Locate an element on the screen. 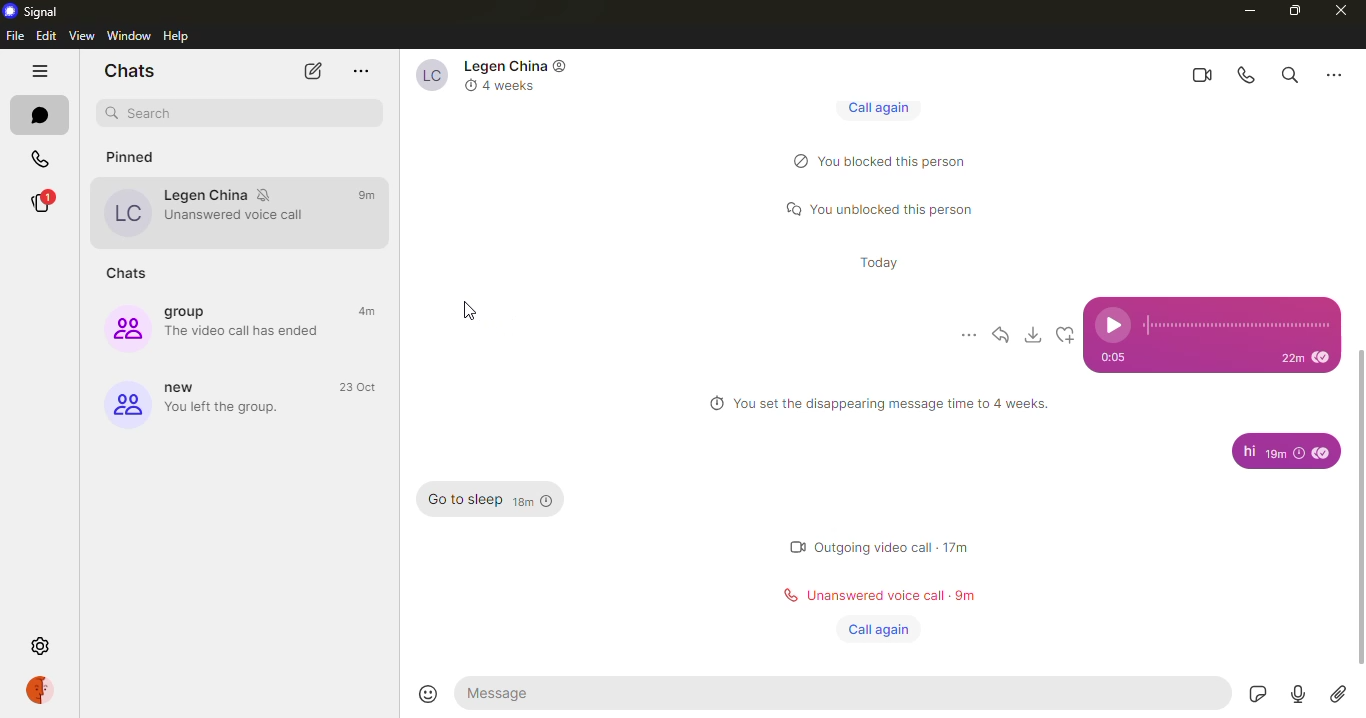  message is located at coordinates (1243, 452).